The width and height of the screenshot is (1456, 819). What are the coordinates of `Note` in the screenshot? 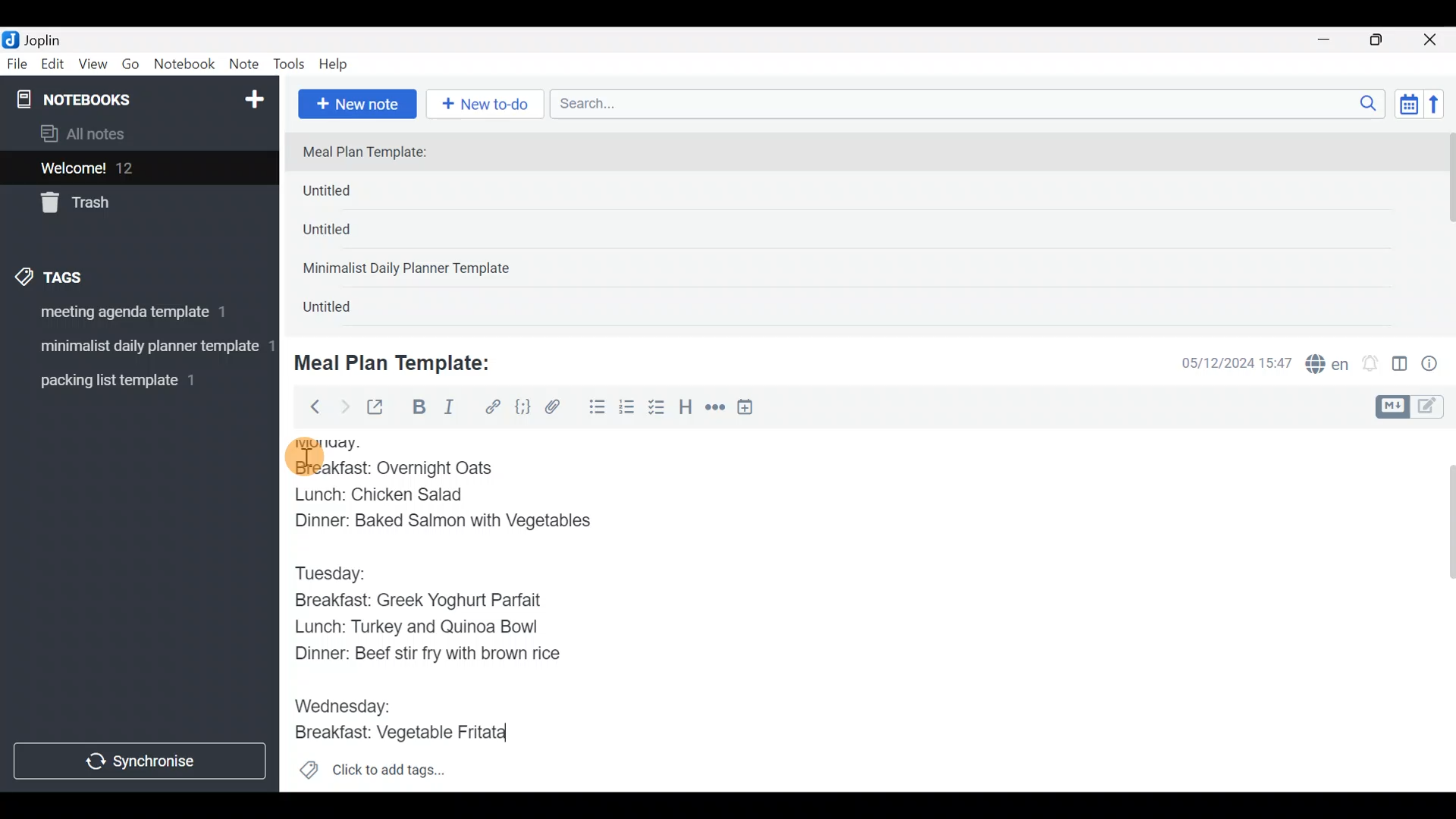 It's located at (247, 65).